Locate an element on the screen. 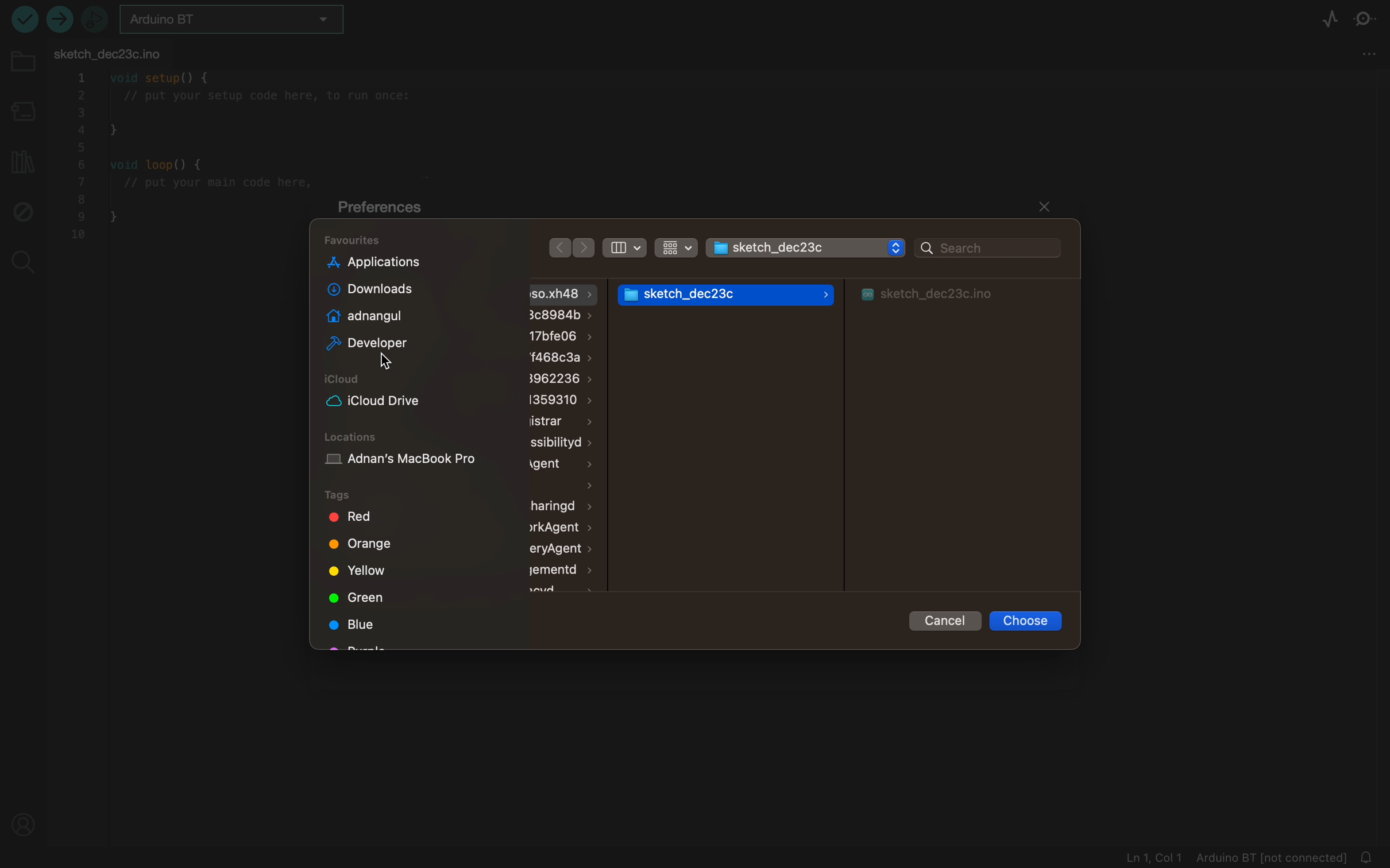  board selector is located at coordinates (232, 22).